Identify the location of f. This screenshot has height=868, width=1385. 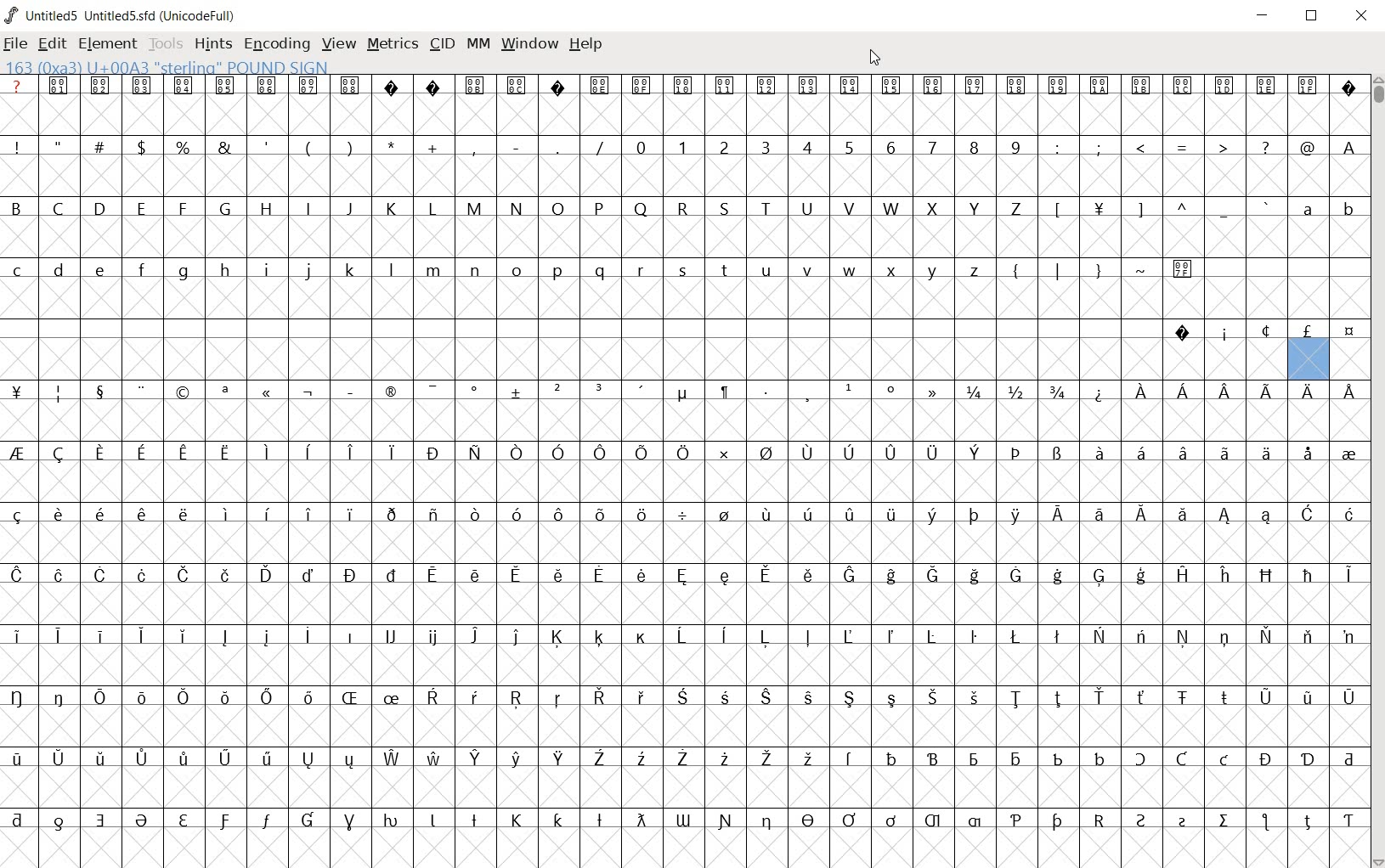
(141, 273).